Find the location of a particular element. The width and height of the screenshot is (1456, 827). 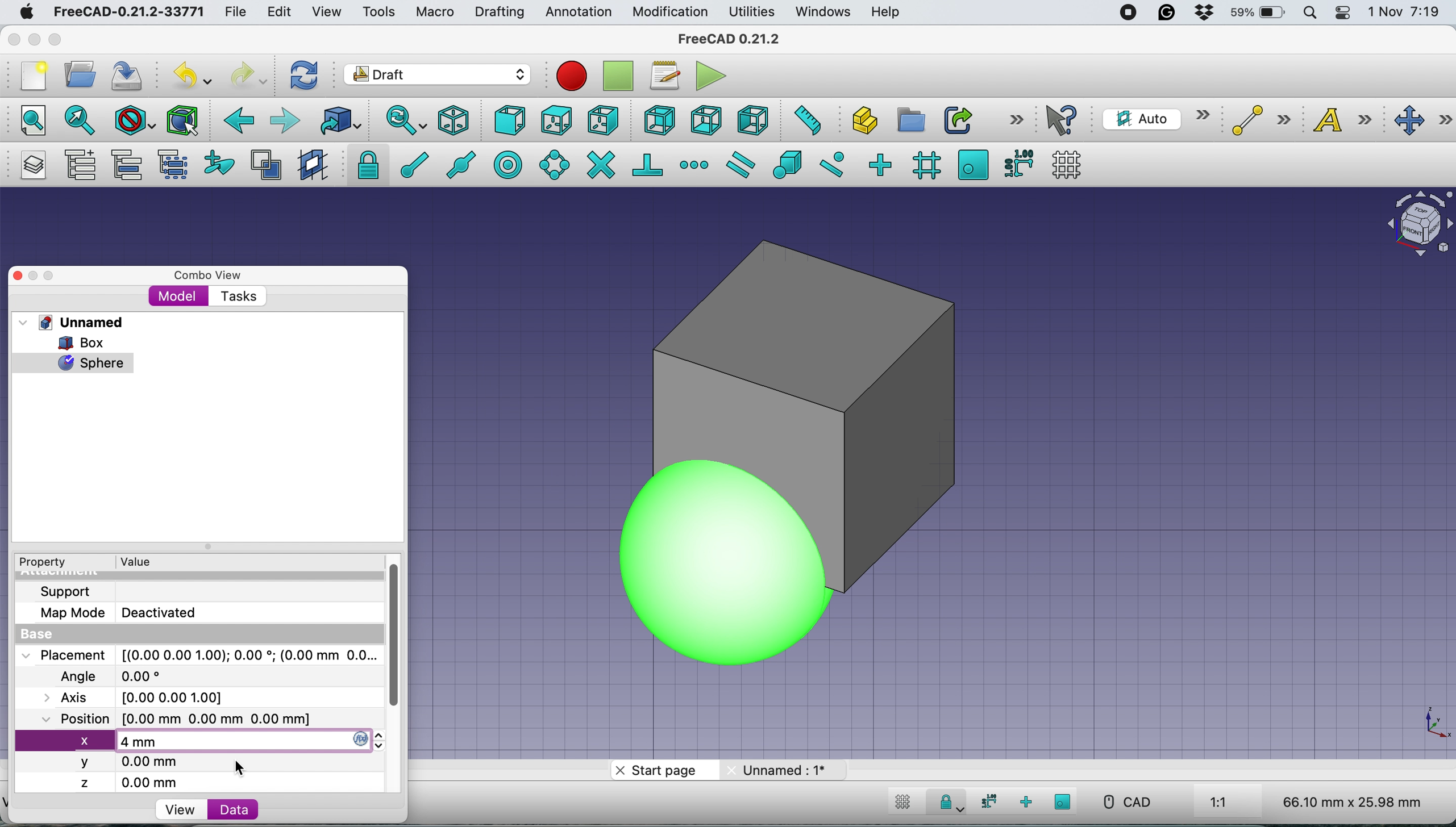

select group is located at coordinates (172, 167).